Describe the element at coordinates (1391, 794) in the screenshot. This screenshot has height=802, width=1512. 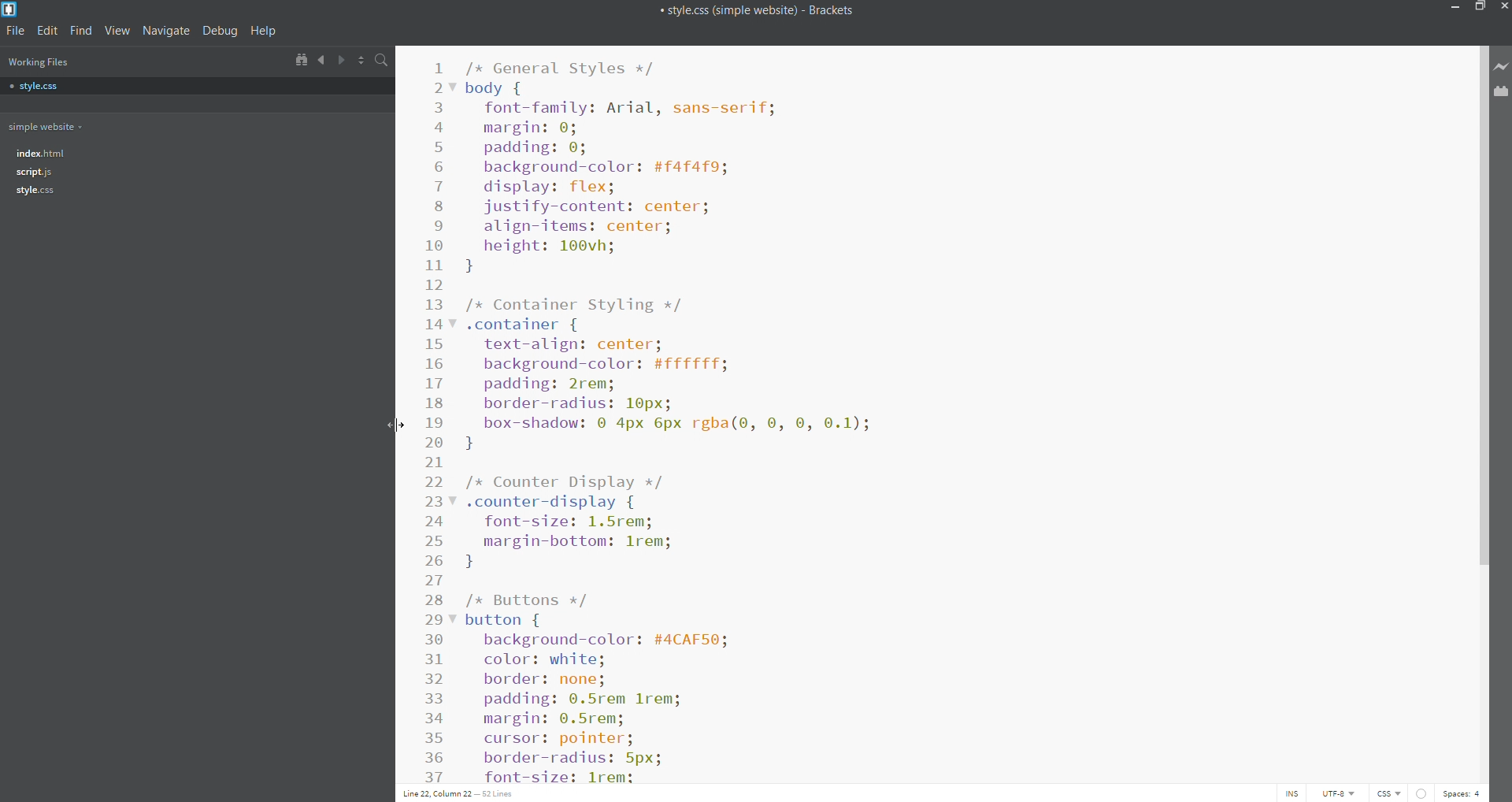
I see `file type` at that location.